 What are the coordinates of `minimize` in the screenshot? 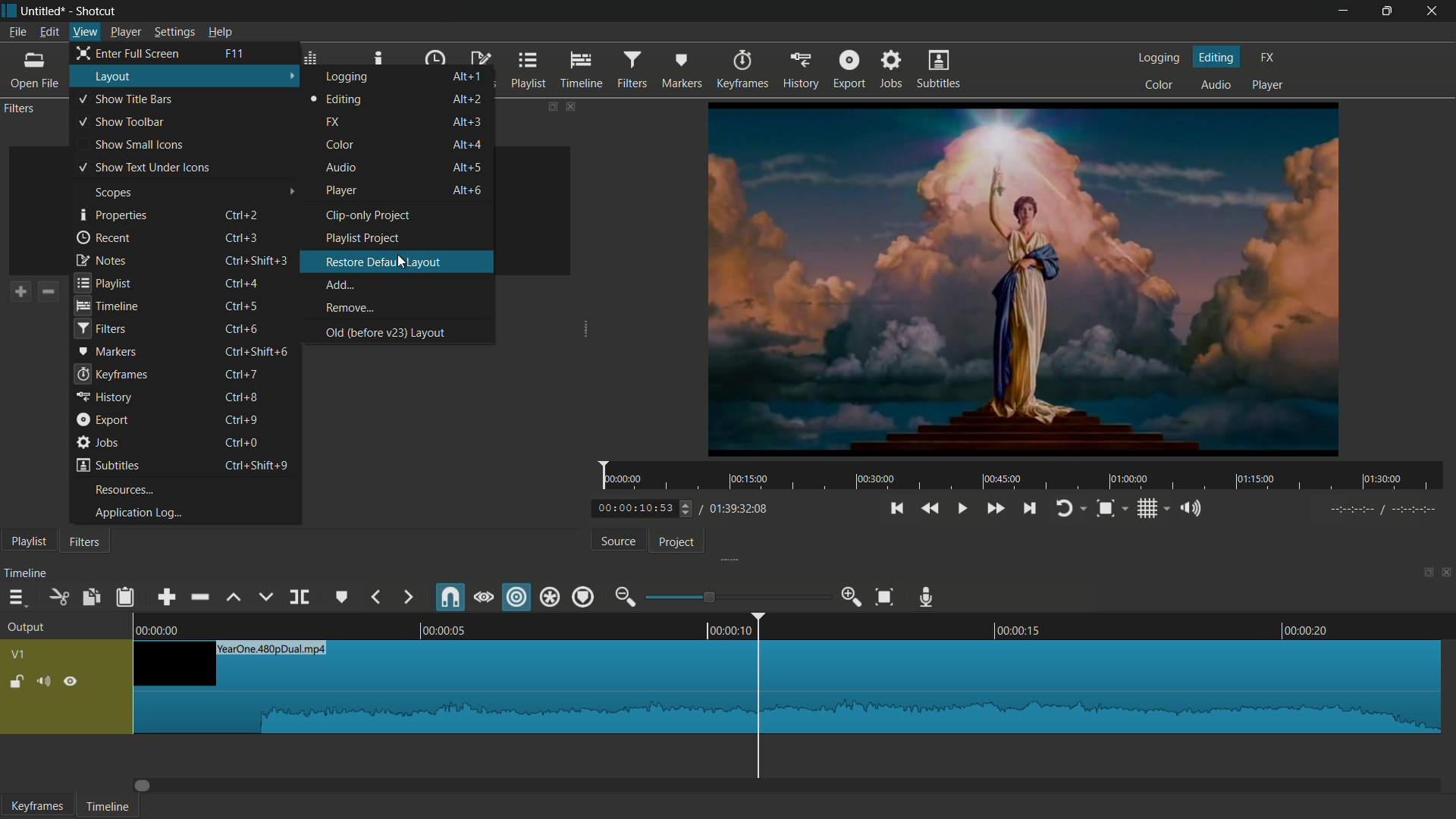 It's located at (1346, 11).